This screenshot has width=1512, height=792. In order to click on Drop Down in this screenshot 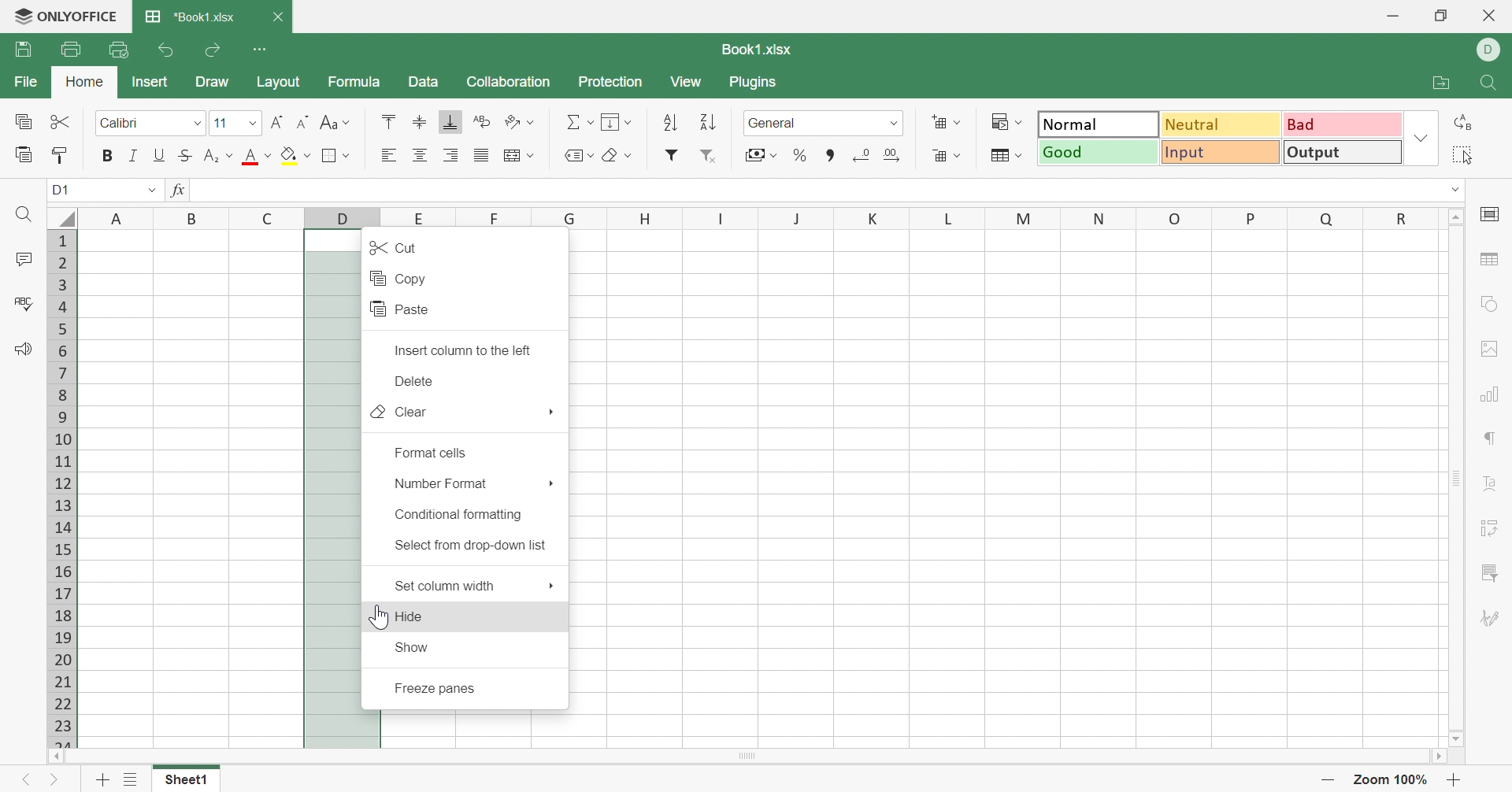, I will do `click(268, 154)`.